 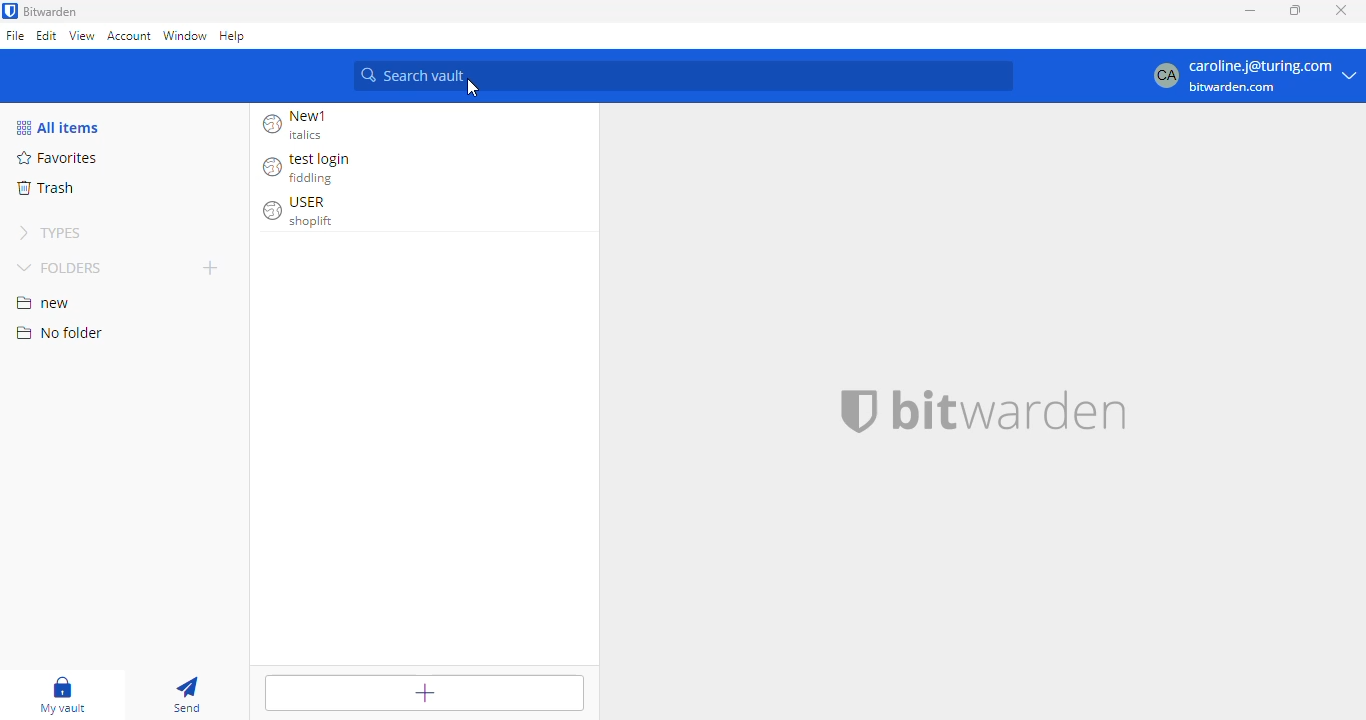 What do you see at coordinates (1251, 77) in the screenshot?
I see `caroline.j@turing.com   bitwarden.com` at bounding box center [1251, 77].